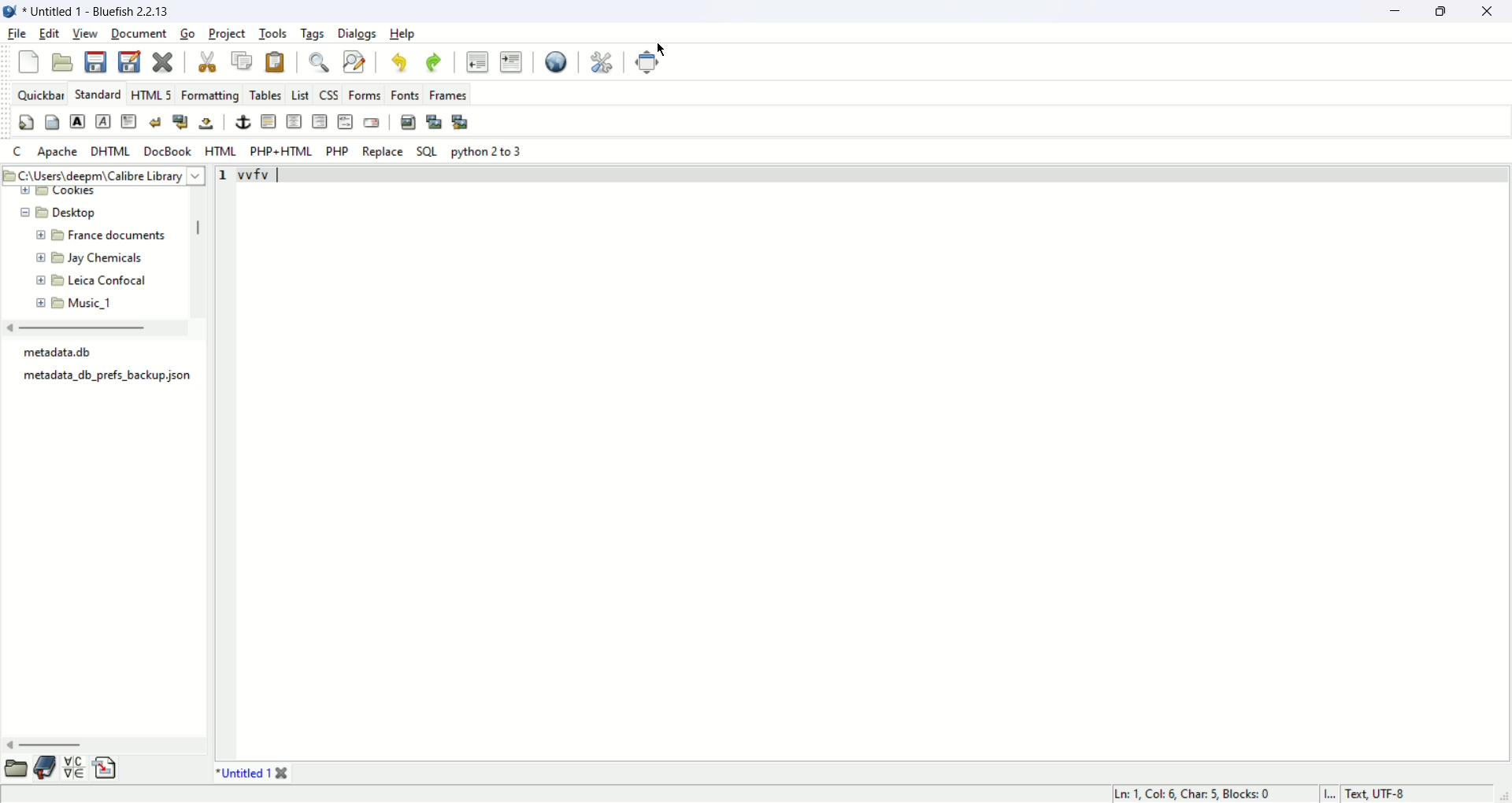  Describe the element at coordinates (211, 60) in the screenshot. I see `cut` at that location.